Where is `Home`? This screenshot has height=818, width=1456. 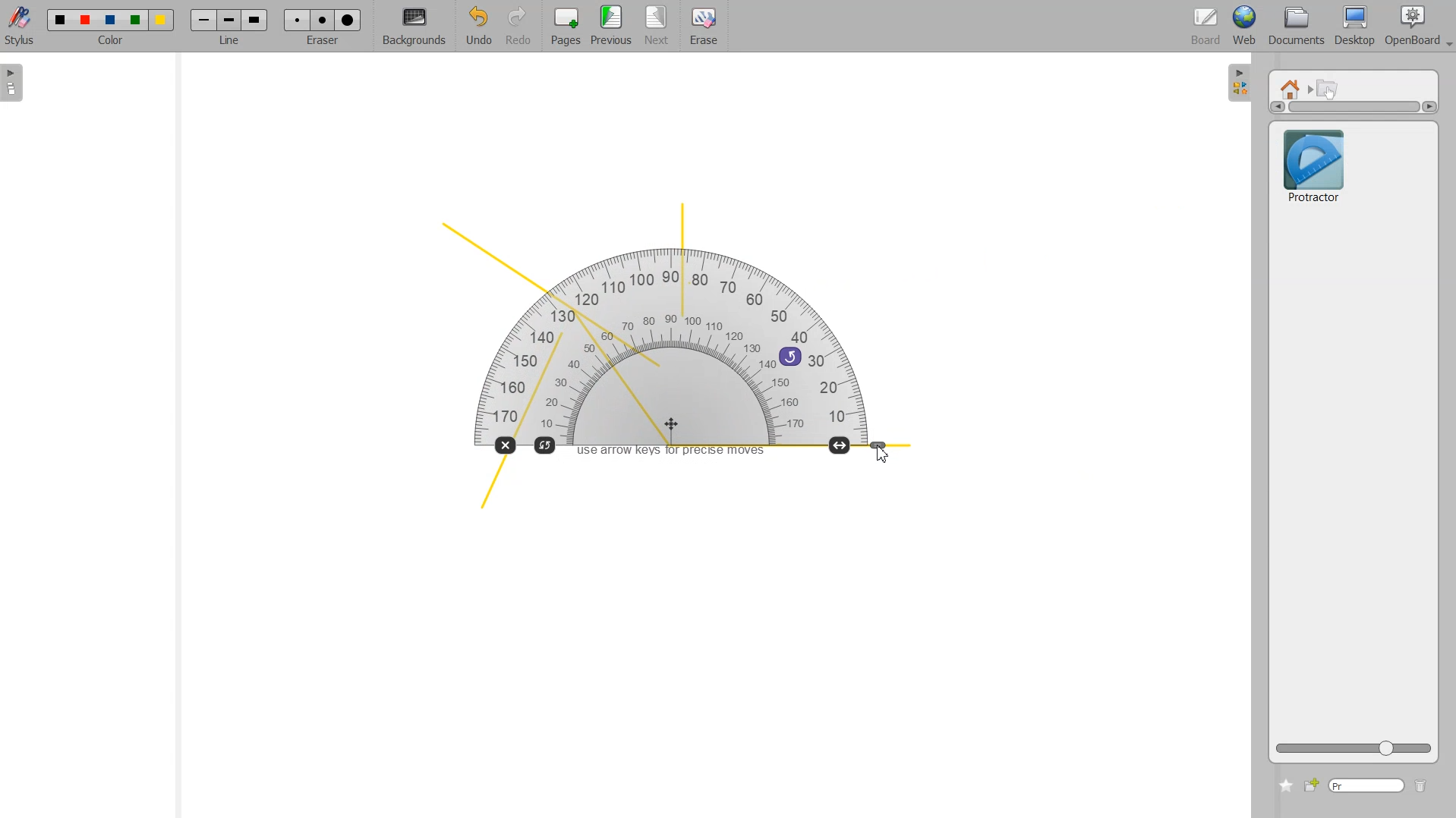
Home is located at coordinates (1293, 88).